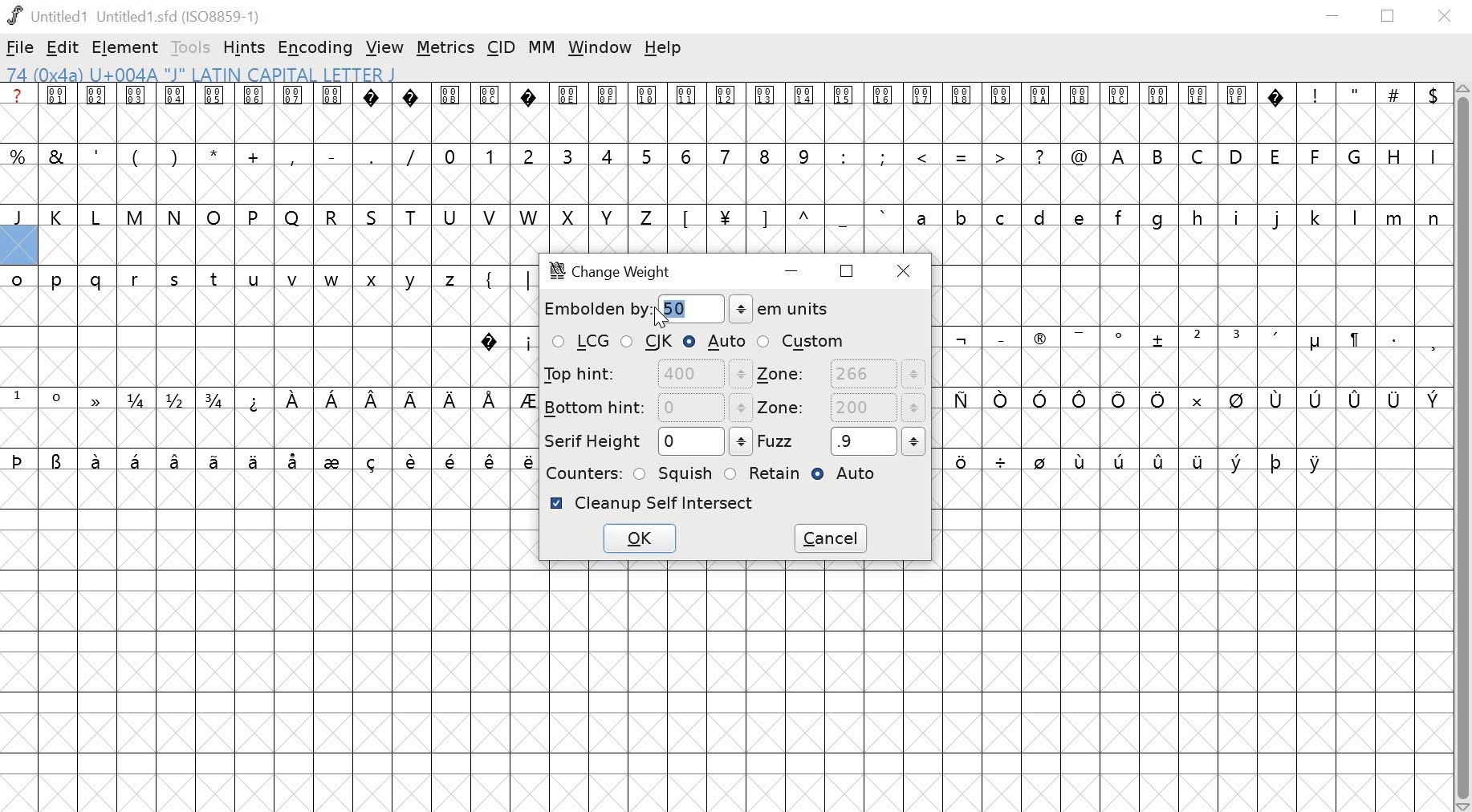 This screenshot has height=812, width=1472. I want to click on ELEMENT, so click(127, 48).